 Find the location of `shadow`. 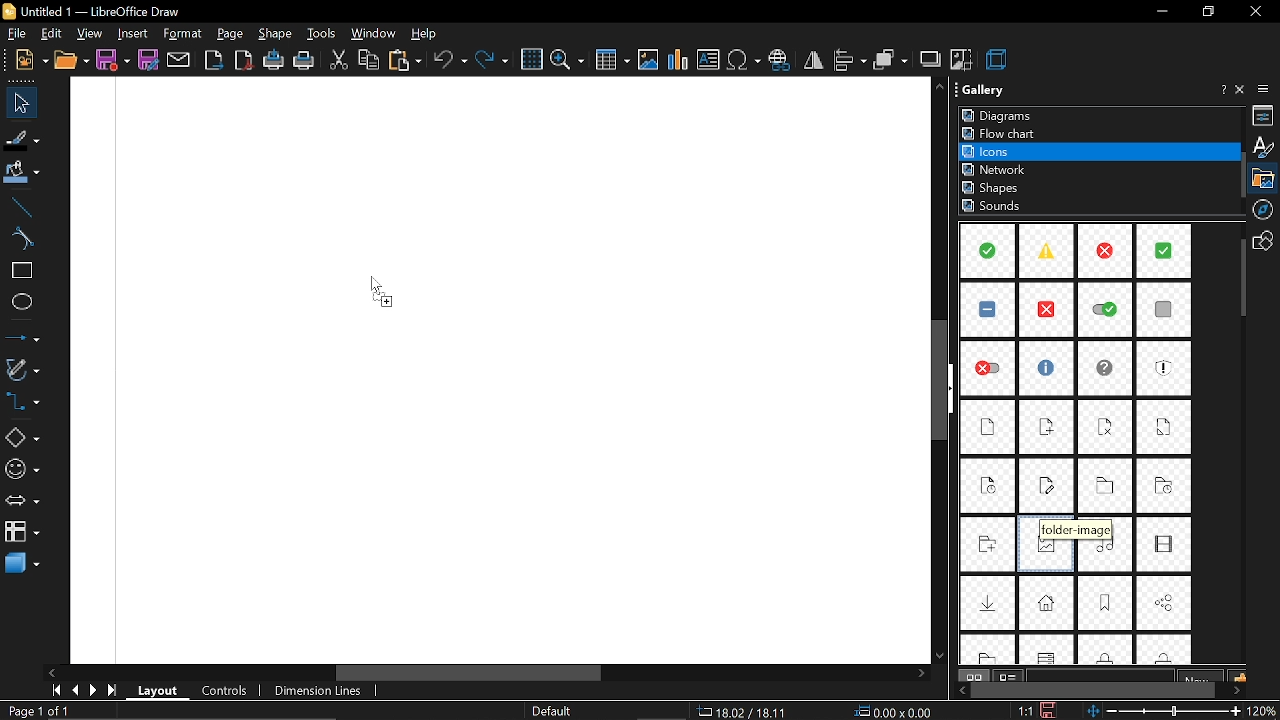

shadow is located at coordinates (930, 60).